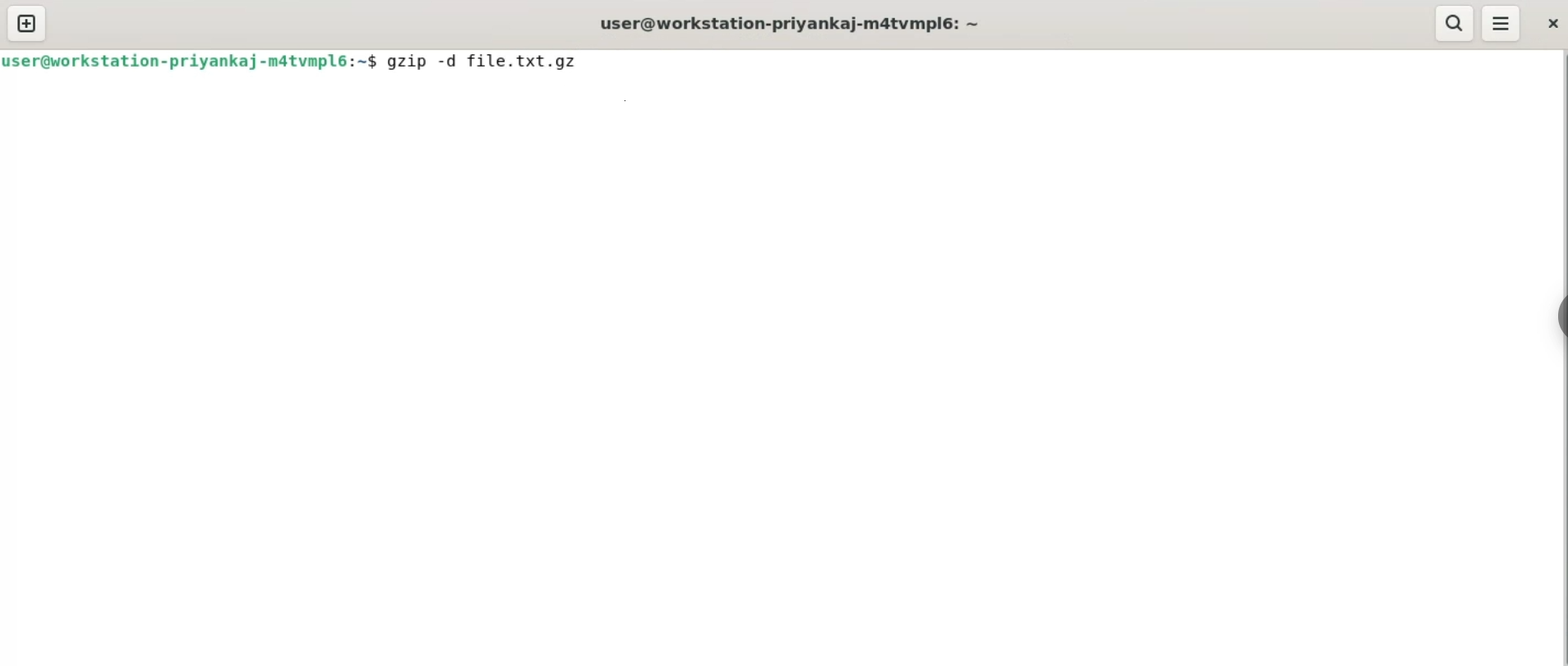 Image resolution: width=1568 pixels, height=666 pixels. I want to click on gzip -d file.txt.gz, so click(491, 61).